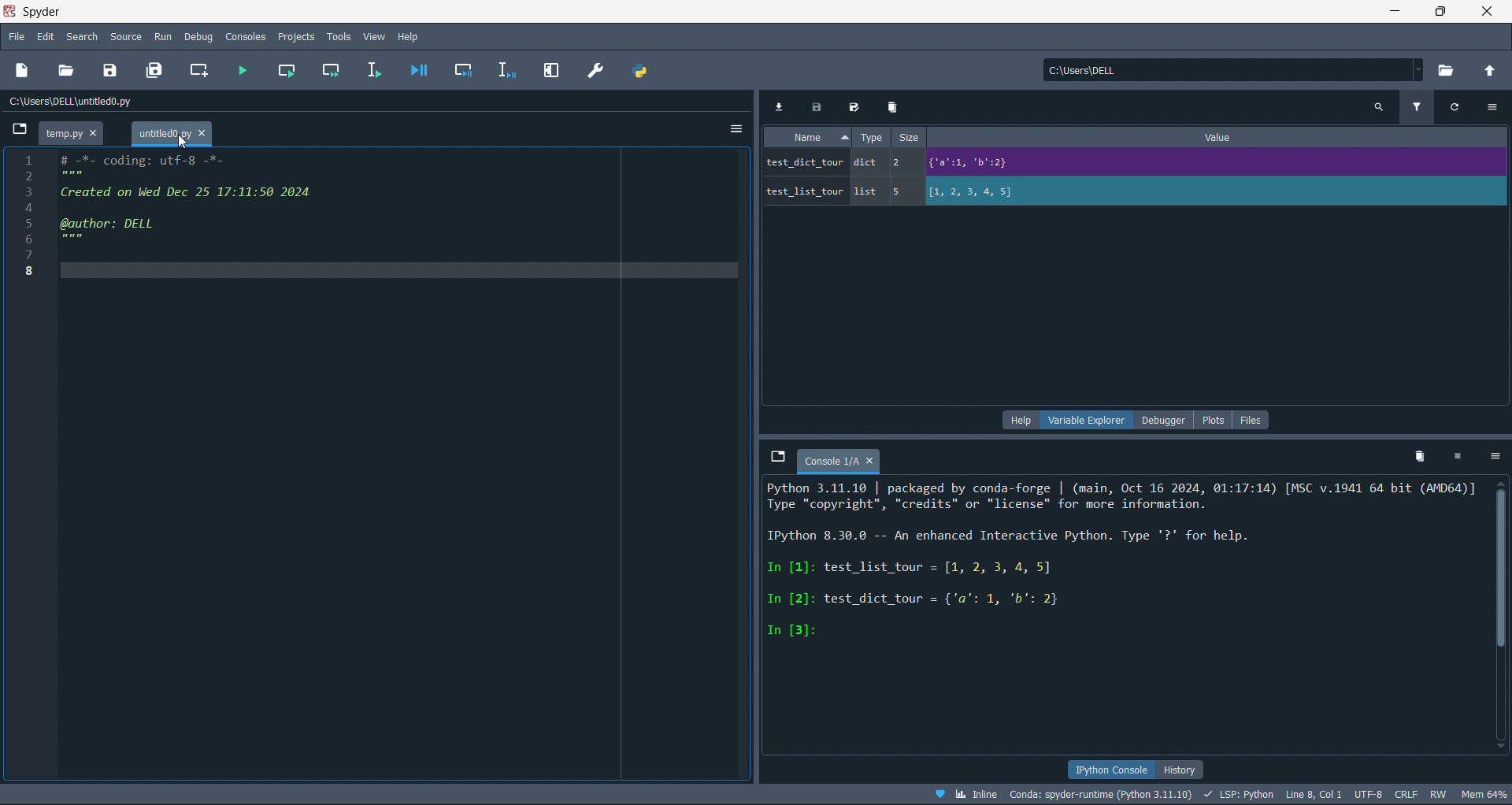 Image resolution: width=1512 pixels, height=805 pixels. I want to click on run cell and move, so click(332, 69).